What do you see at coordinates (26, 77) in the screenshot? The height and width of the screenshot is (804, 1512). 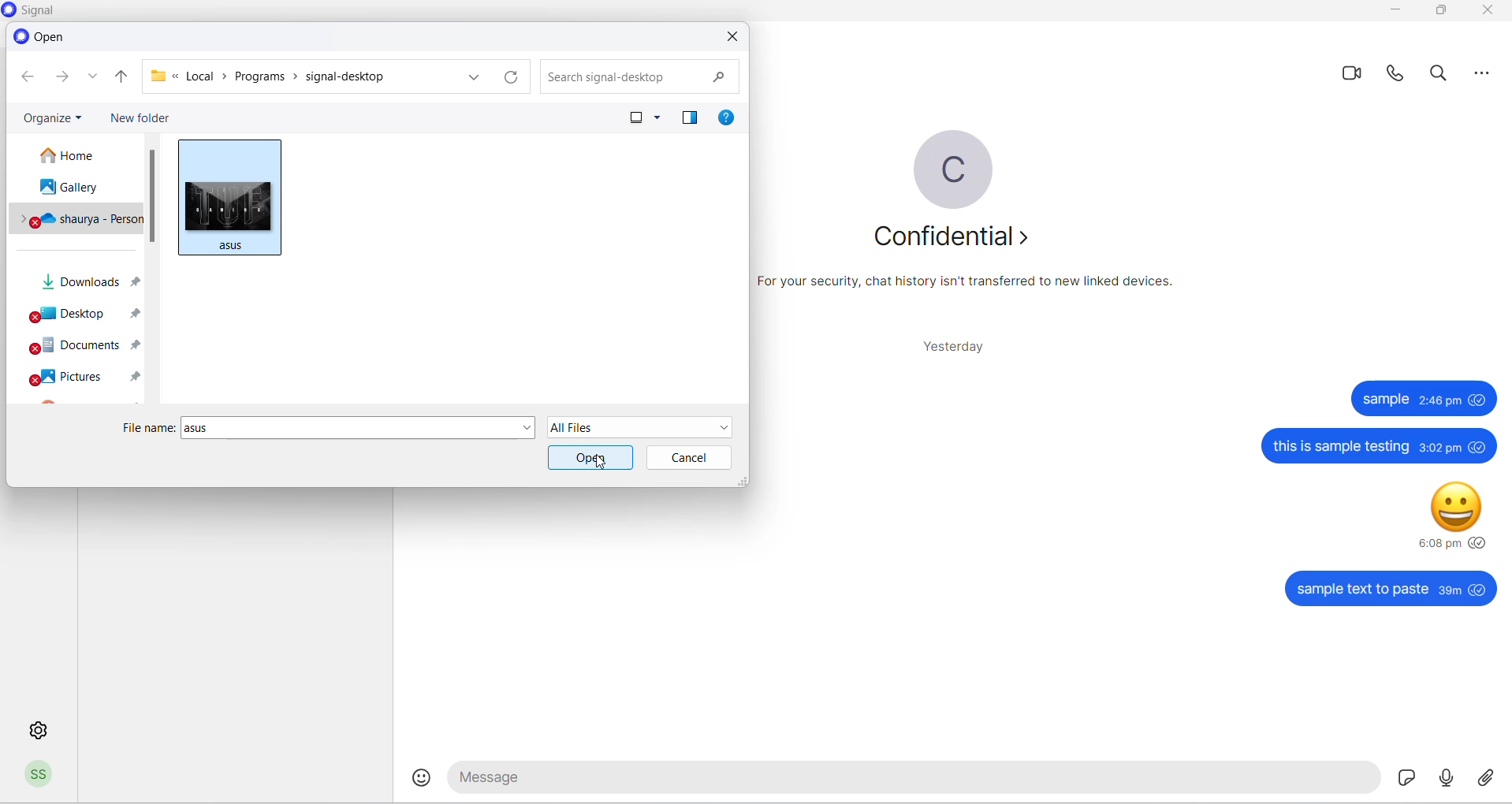 I see `go back` at bounding box center [26, 77].